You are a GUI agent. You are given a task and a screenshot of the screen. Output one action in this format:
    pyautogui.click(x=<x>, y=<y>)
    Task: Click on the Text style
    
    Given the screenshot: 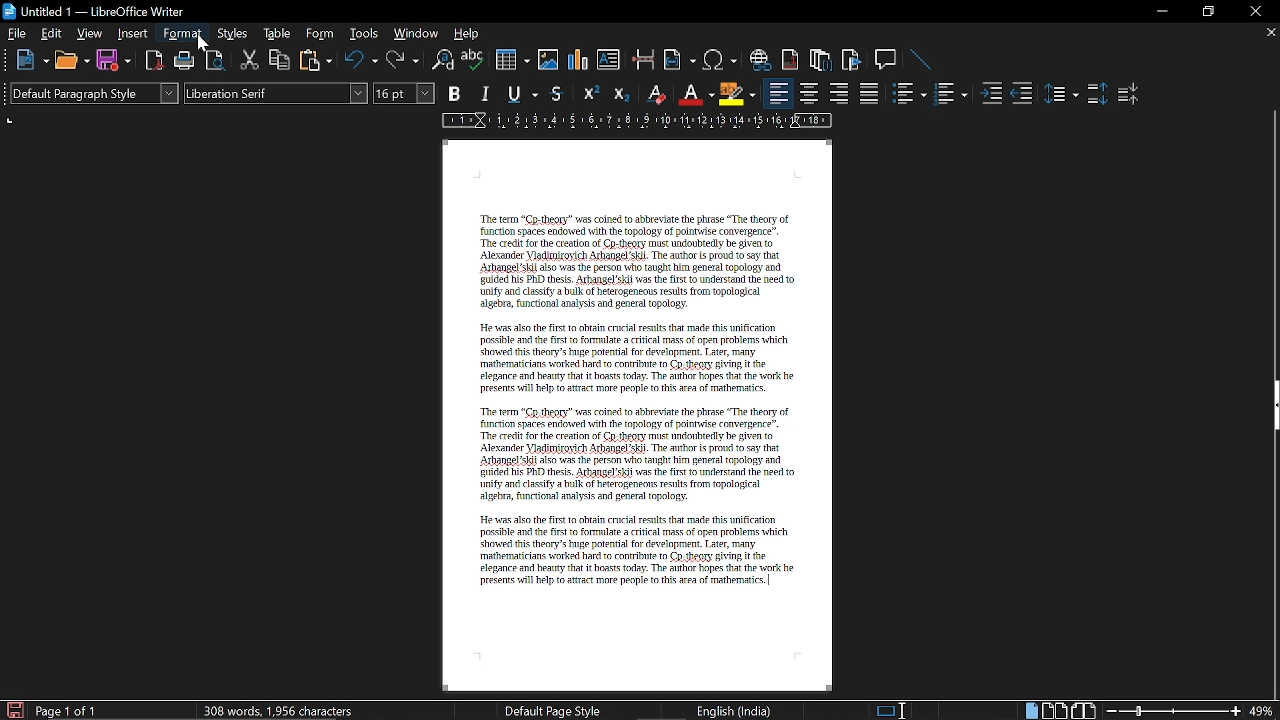 What is the action you would take?
    pyautogui.click(x=276, y=92)
    